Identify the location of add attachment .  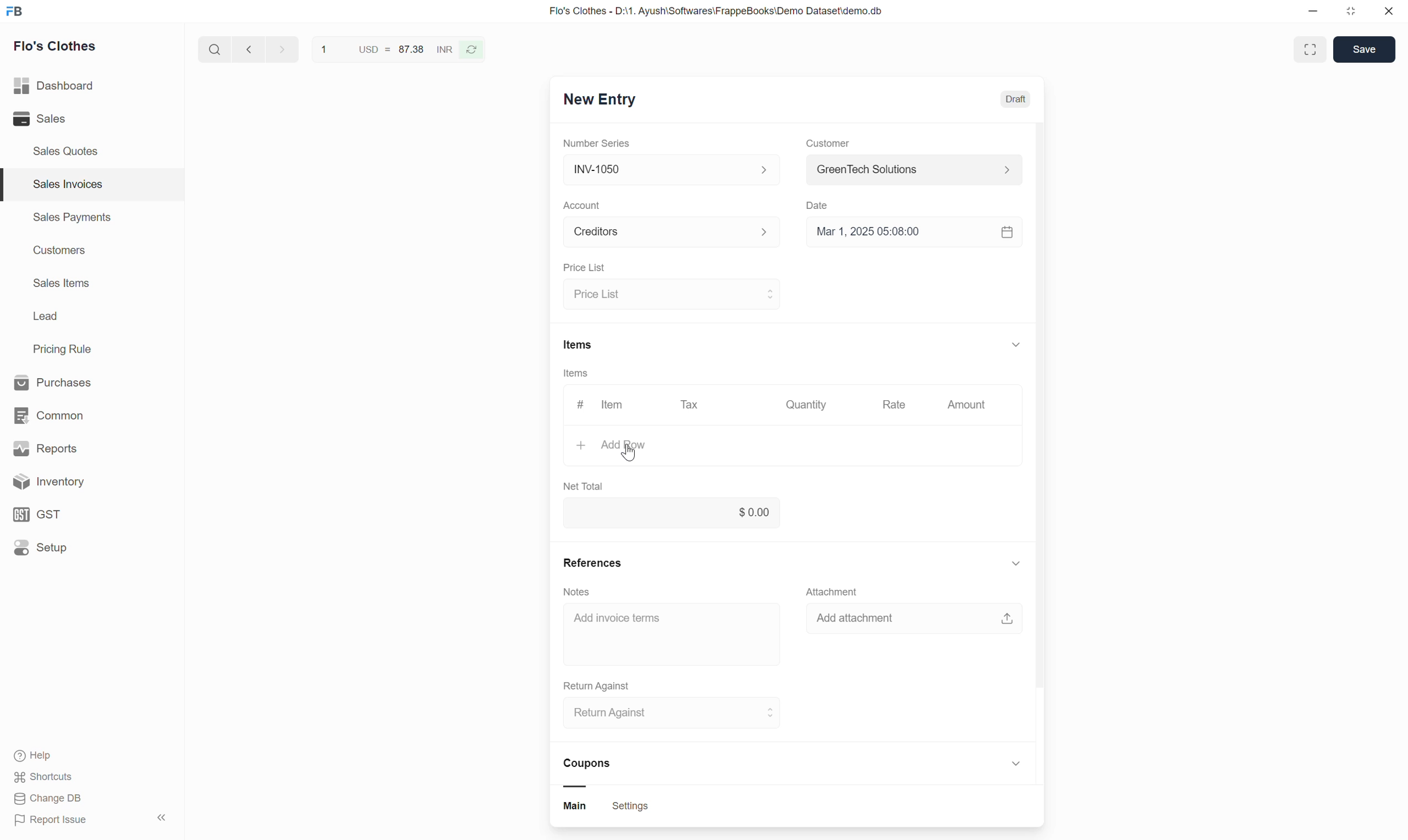
(915, 623).